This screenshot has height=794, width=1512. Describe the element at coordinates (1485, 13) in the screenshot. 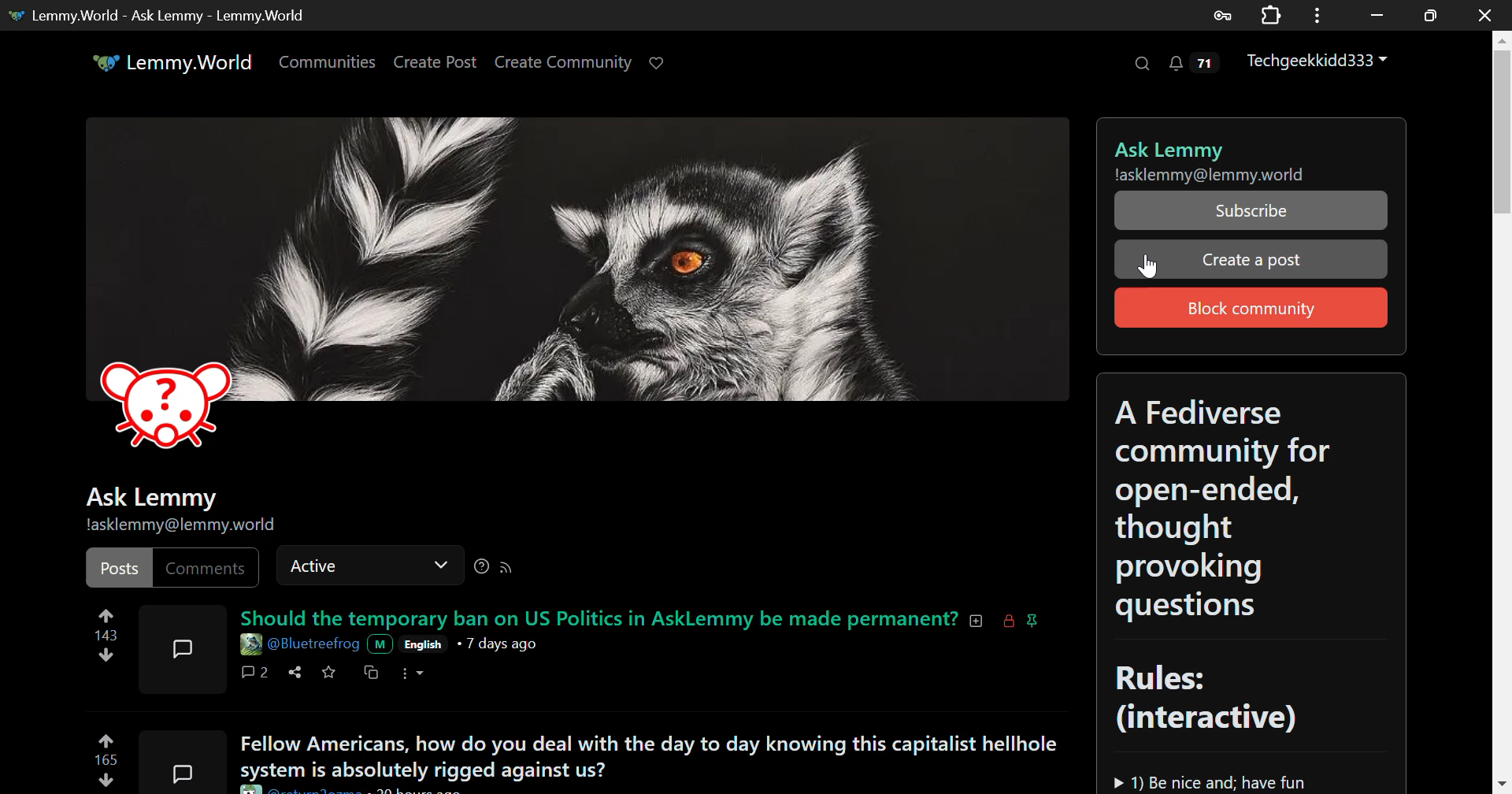

I see `Close Window` at that location.